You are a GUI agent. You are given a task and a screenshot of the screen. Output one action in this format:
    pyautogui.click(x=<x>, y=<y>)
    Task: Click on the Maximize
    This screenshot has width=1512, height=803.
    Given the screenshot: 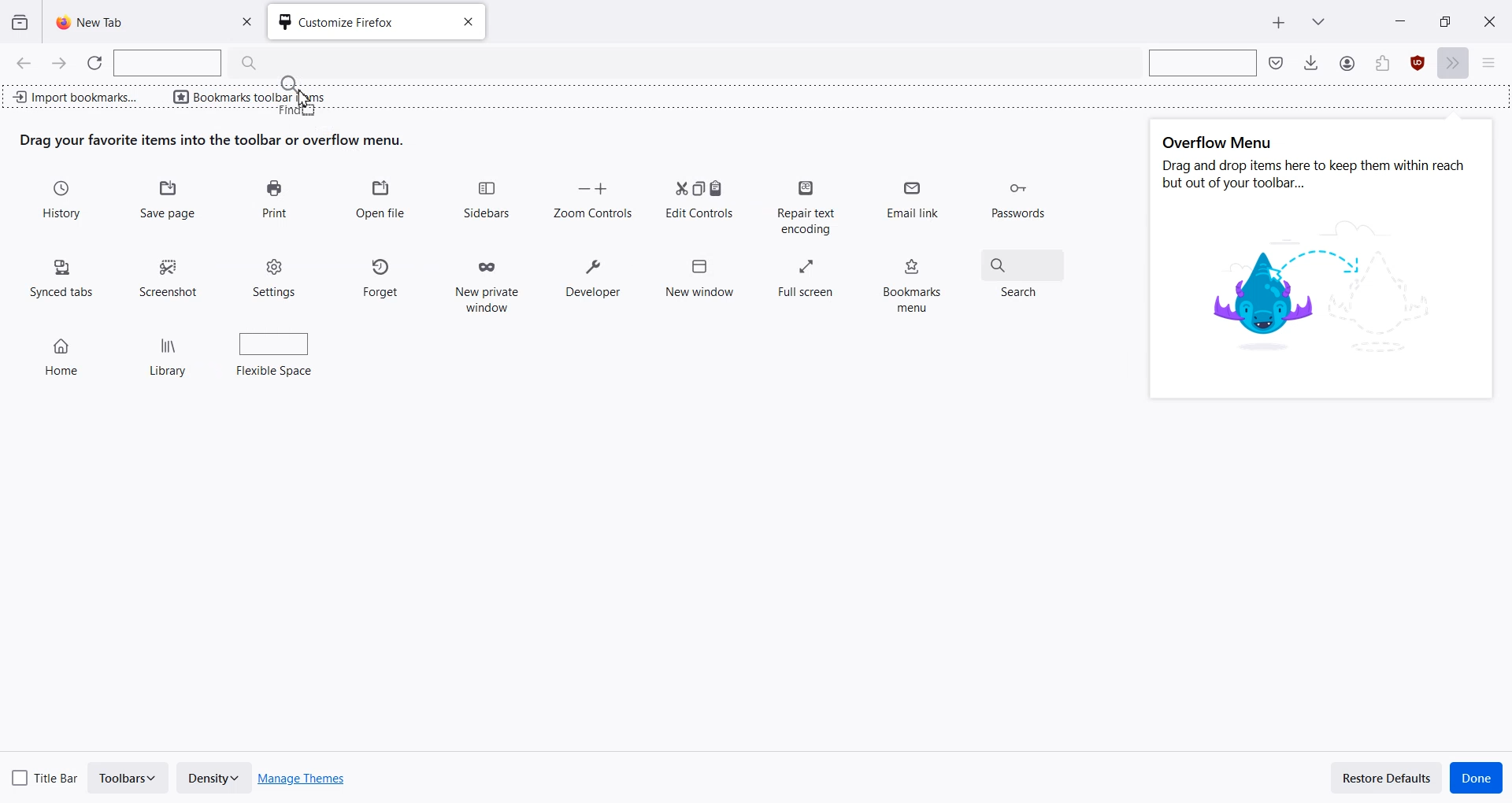 What is the action you would take?
    pyautogui.click(x=1444, y=20)
    